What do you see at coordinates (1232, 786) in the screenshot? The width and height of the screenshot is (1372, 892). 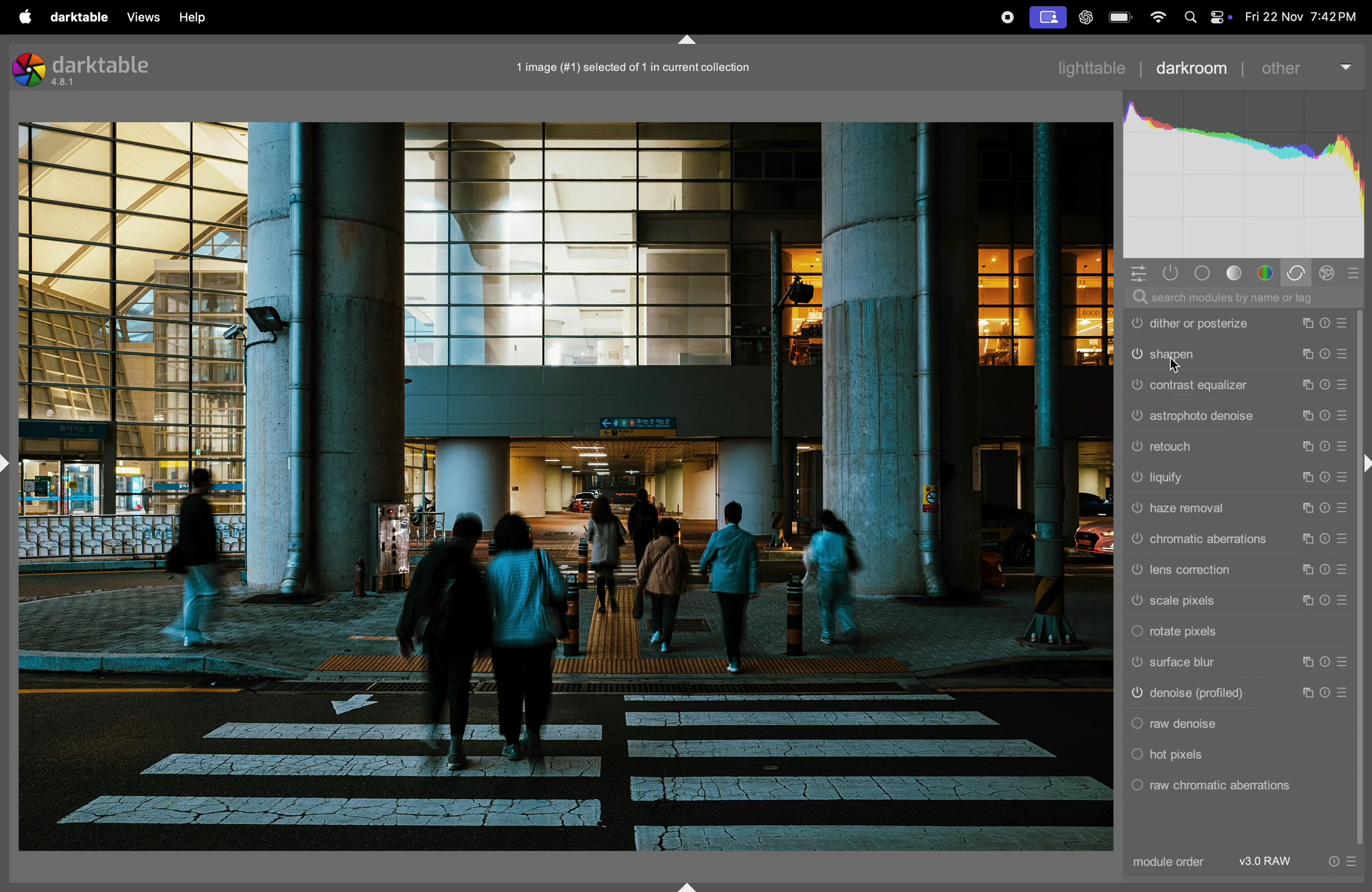 I see `raw chromatic aberrations` at bounding box center [1232, 786].